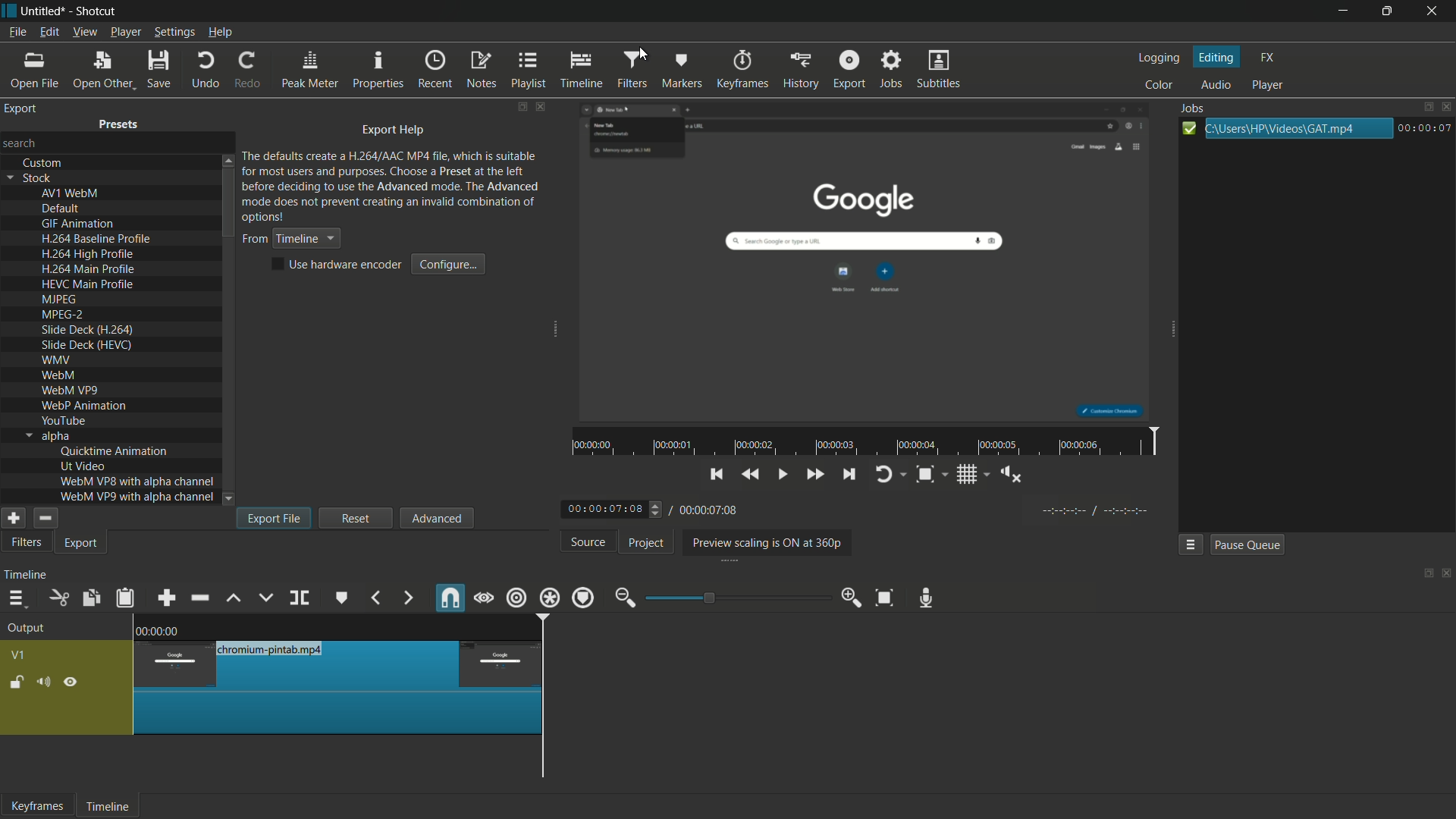 This screenshot has width=1456, height=819. I want to click on zoom timeline to fit, so click(888, 597).